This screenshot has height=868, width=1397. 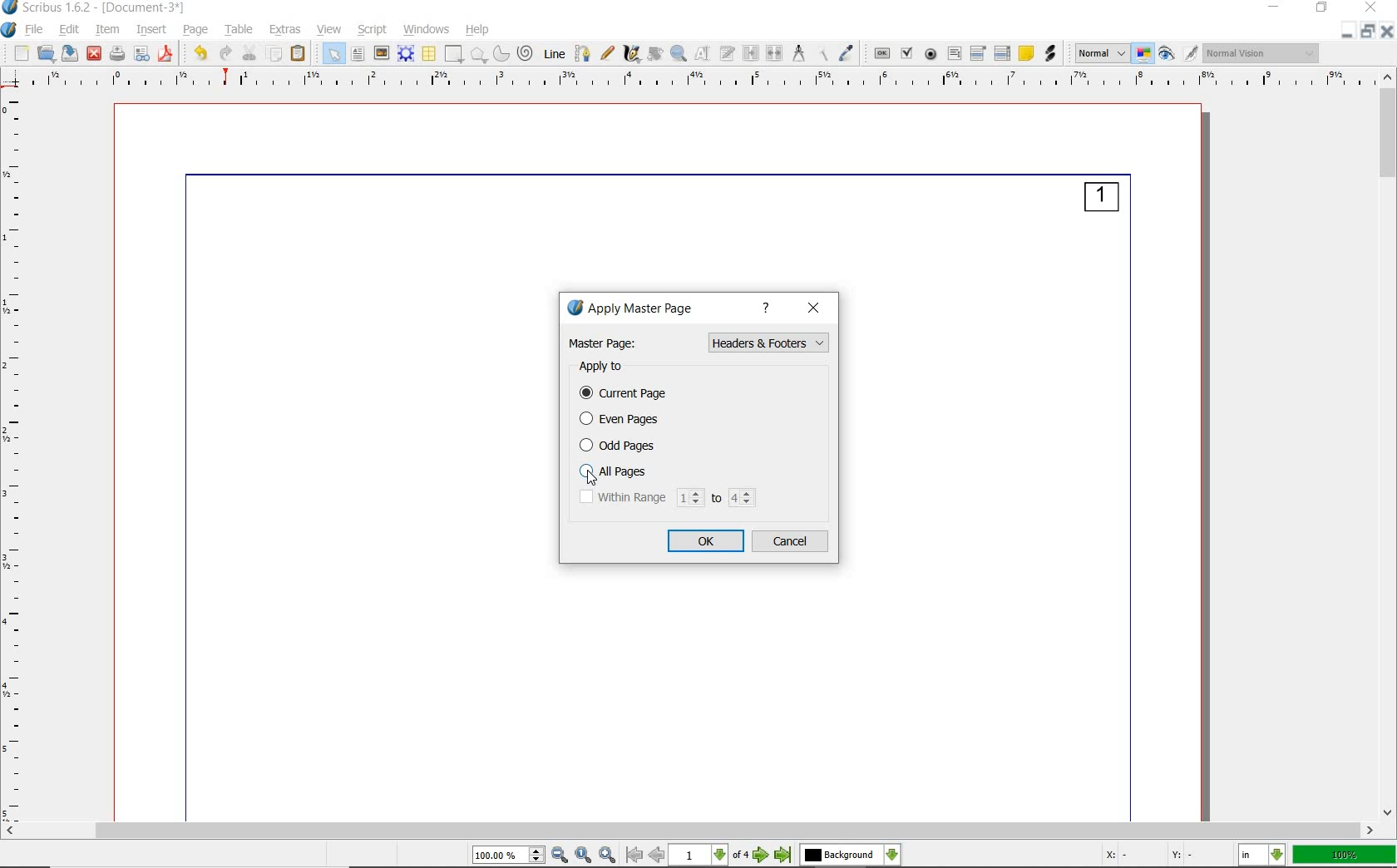 What do you see at coordinates (582, 53) in the screenshot?
I see `Bezier curve` at bounding box center [582, 53].